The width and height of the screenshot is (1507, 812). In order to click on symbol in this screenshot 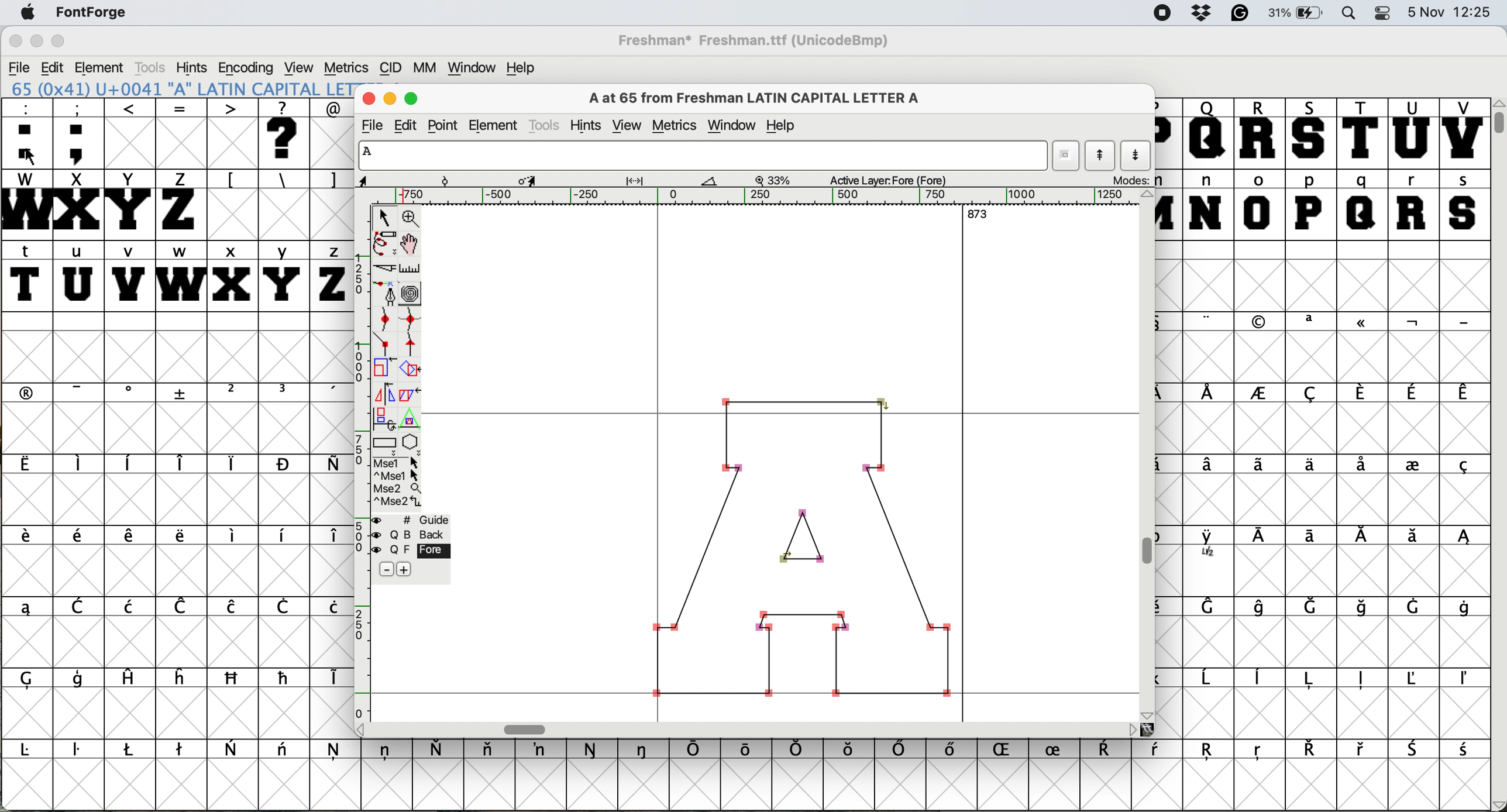, I will do `click(1466, 680)`.